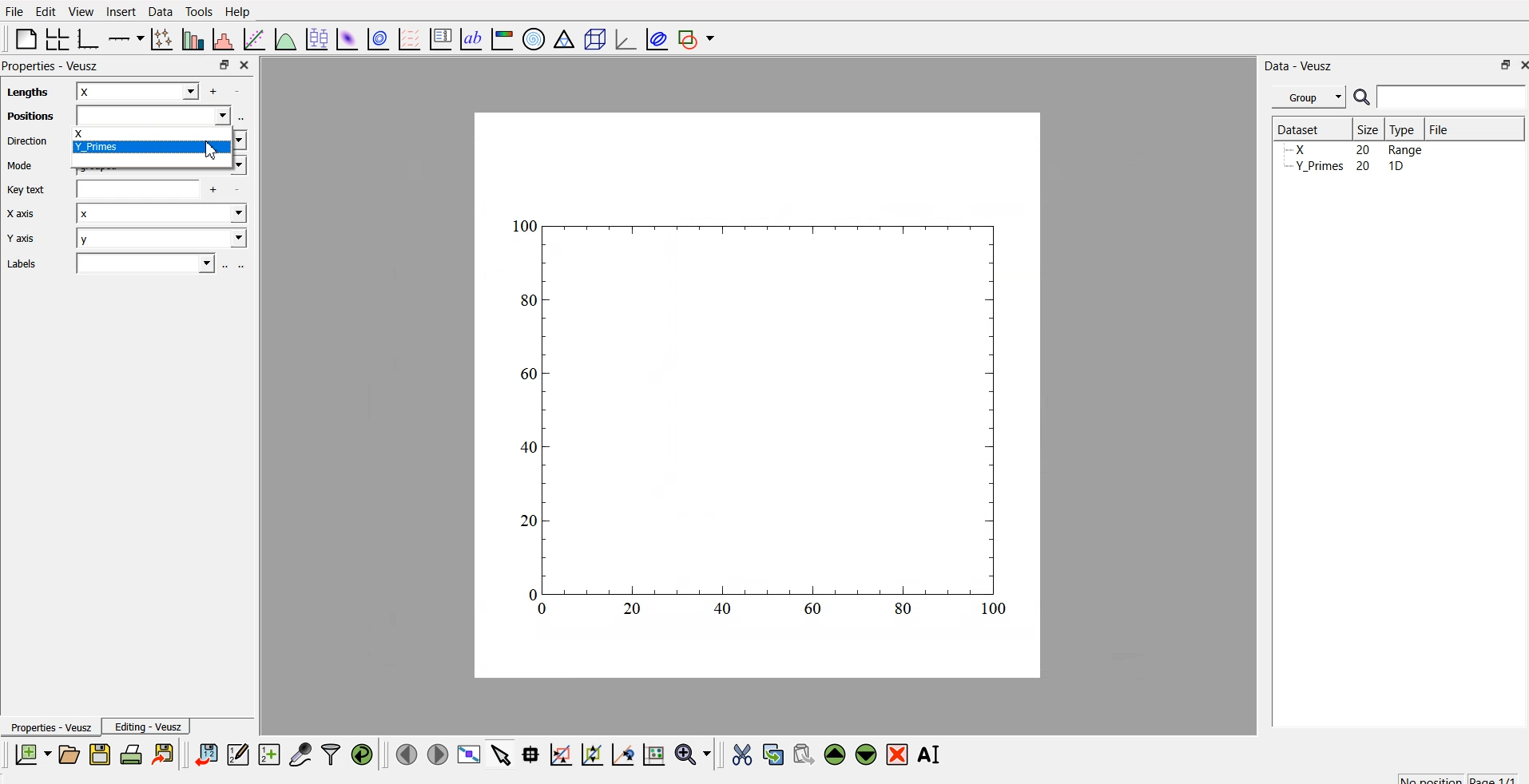 The image size is (1529, 784). What do you see at coordinates (560, 754) in the screenshot?
I see `draw rectangle to zoom` at bounding box center [560, 754].